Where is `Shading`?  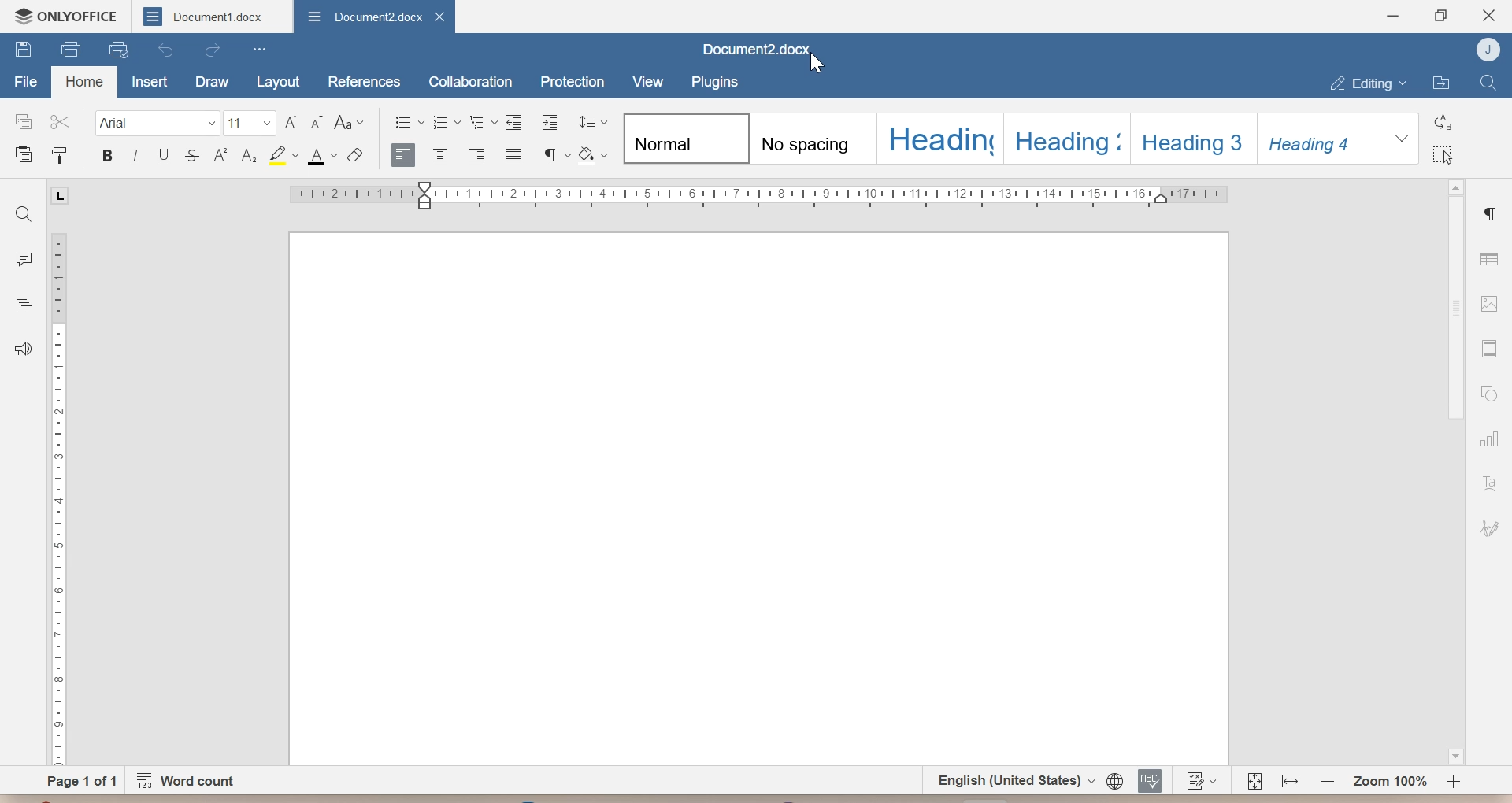 Shading is located at coordinates (593, 154).